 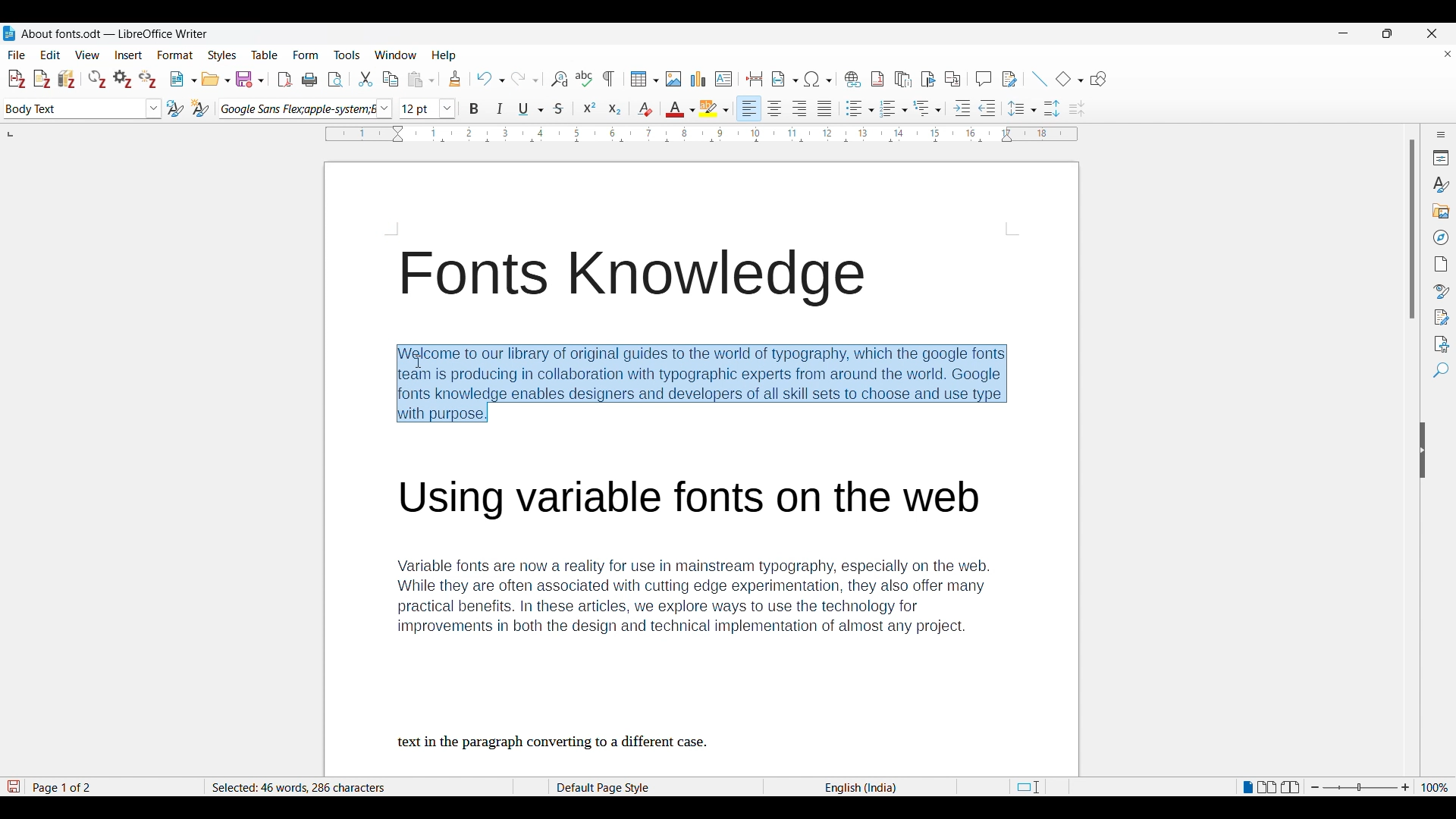 I want to click on Find, so click(x=1441, y=370).